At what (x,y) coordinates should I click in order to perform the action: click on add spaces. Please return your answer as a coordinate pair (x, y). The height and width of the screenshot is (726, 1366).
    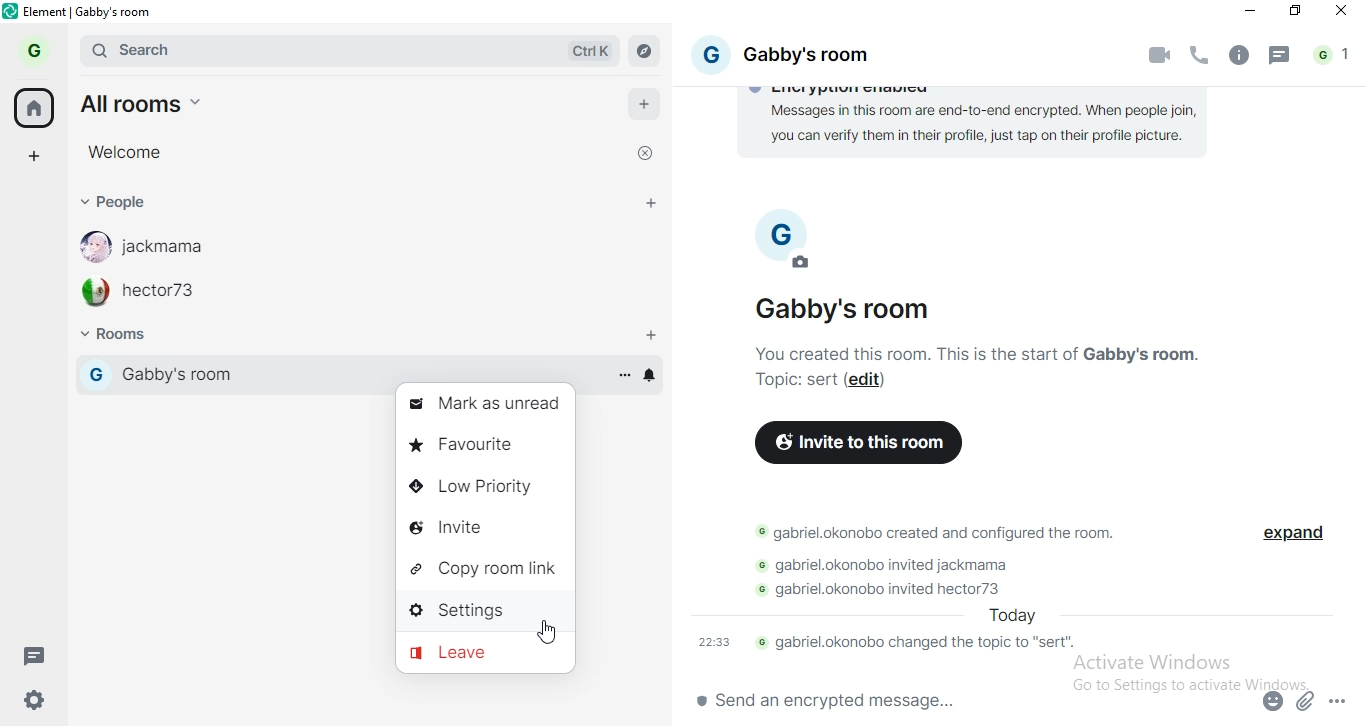
    Looking at the image, I should click on (33, 154).